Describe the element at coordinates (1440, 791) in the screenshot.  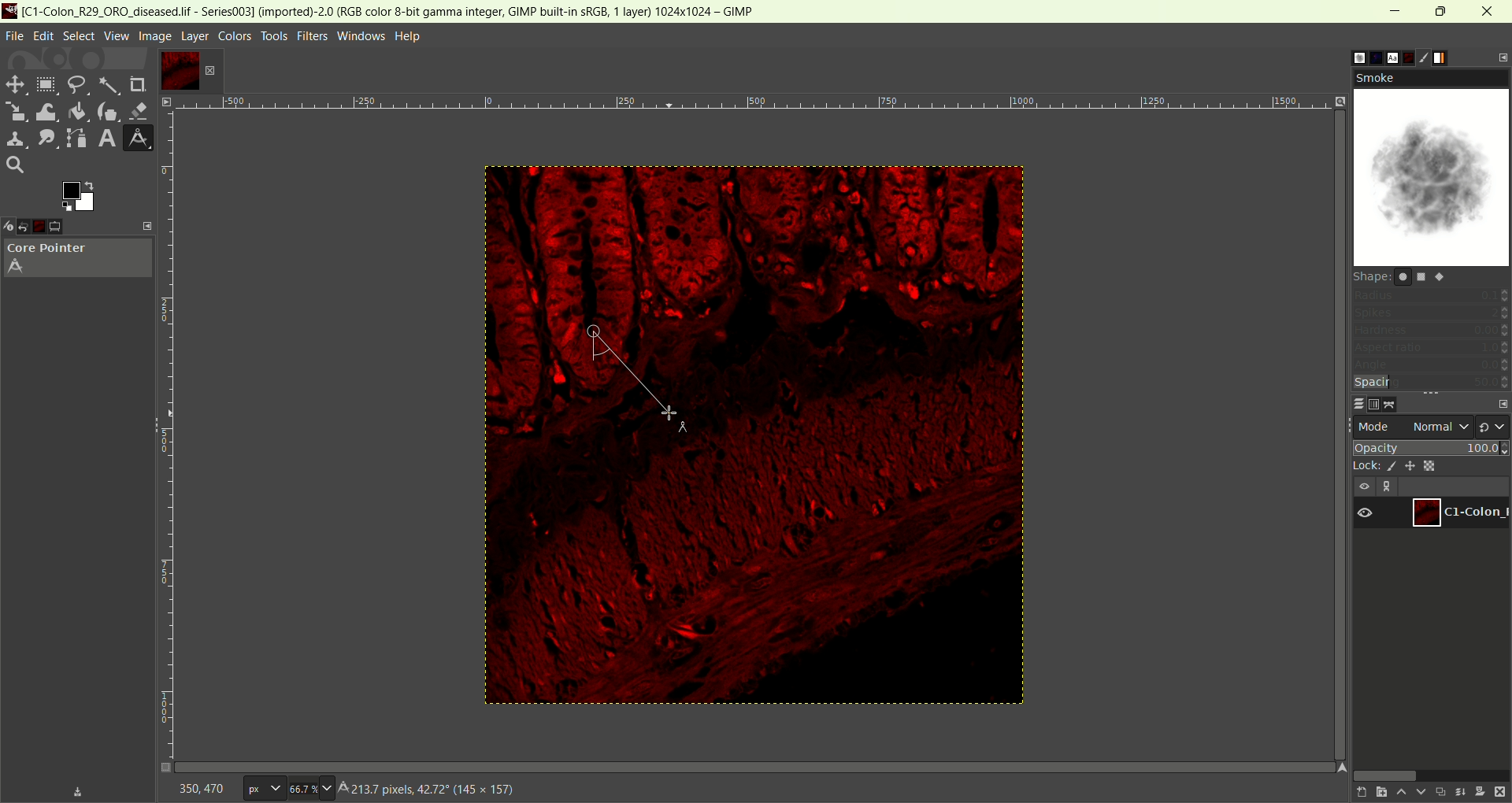
I see `duplicate layer` at that location.